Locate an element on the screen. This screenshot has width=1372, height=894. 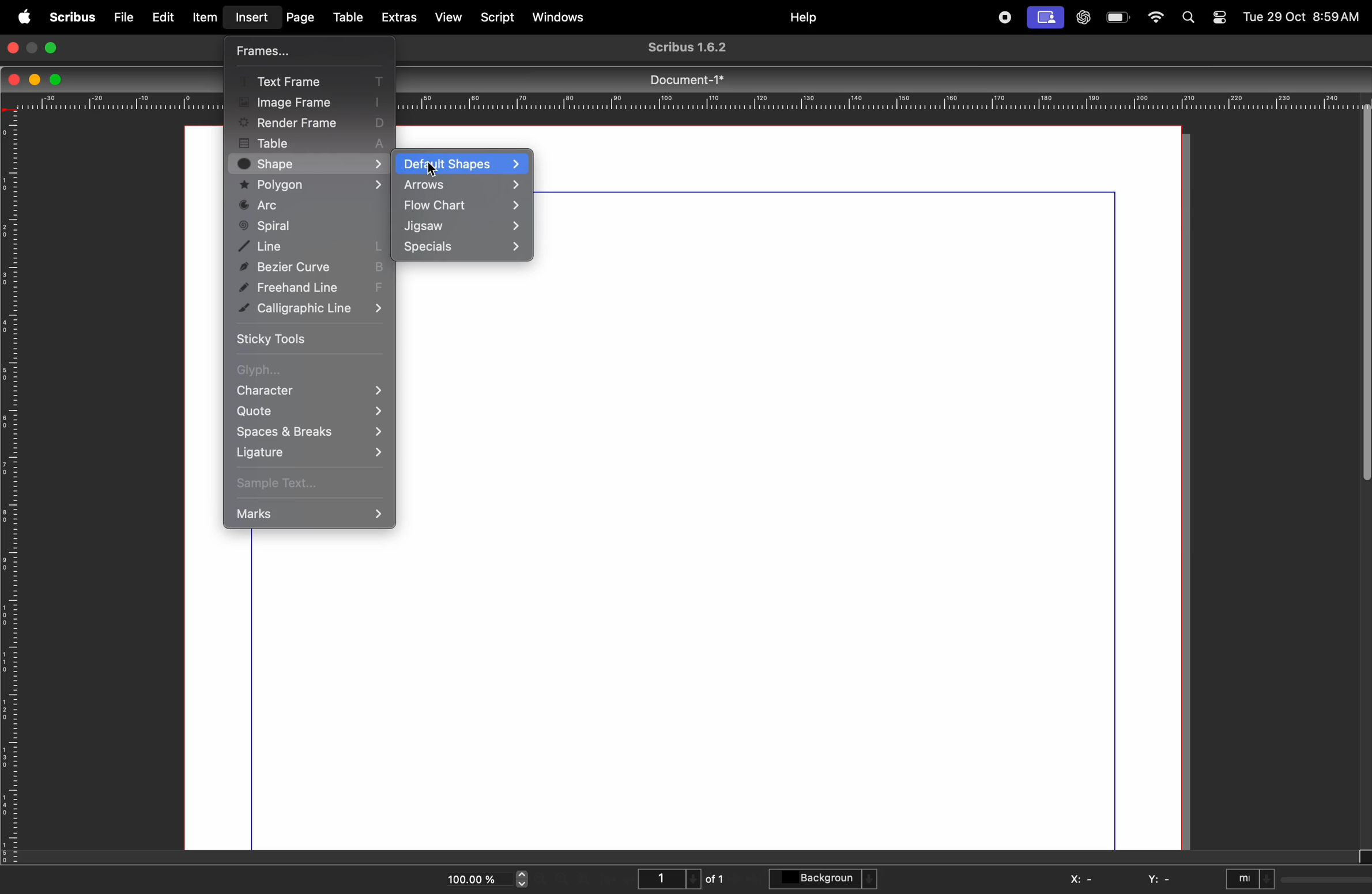
minimize is located at coordinates (33, 78).